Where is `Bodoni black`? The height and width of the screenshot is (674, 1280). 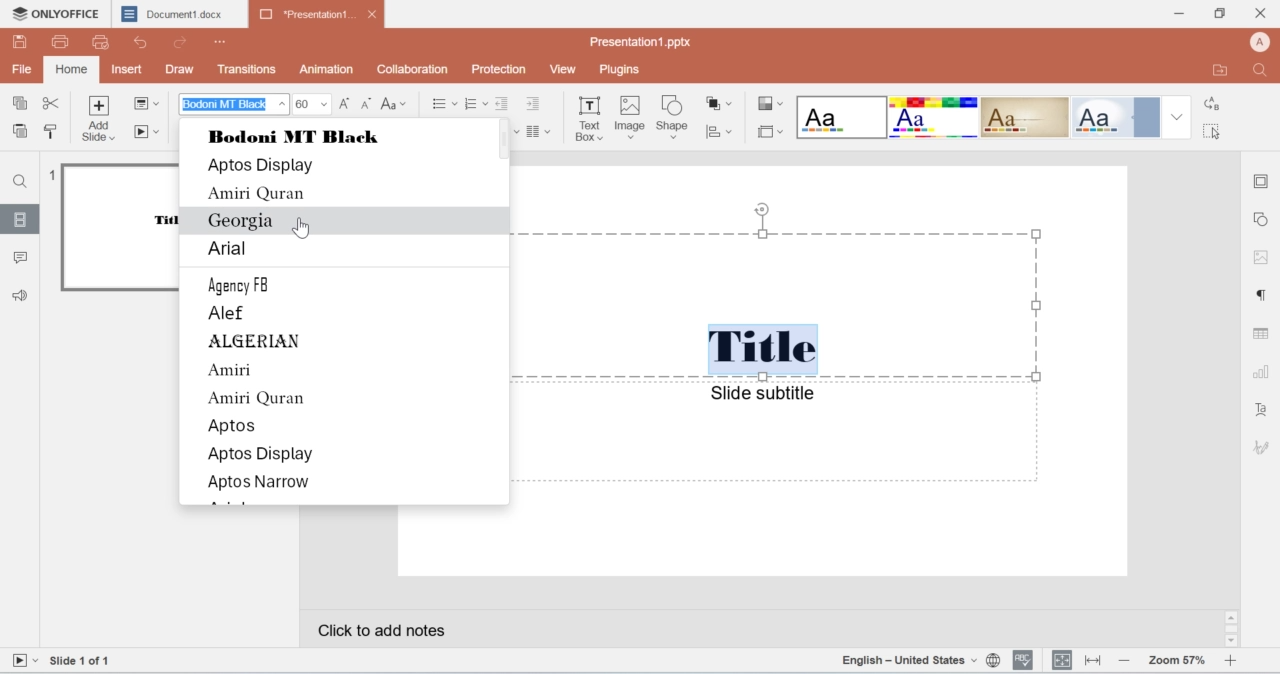 Bodoni black is located at coordinates (304, 138).